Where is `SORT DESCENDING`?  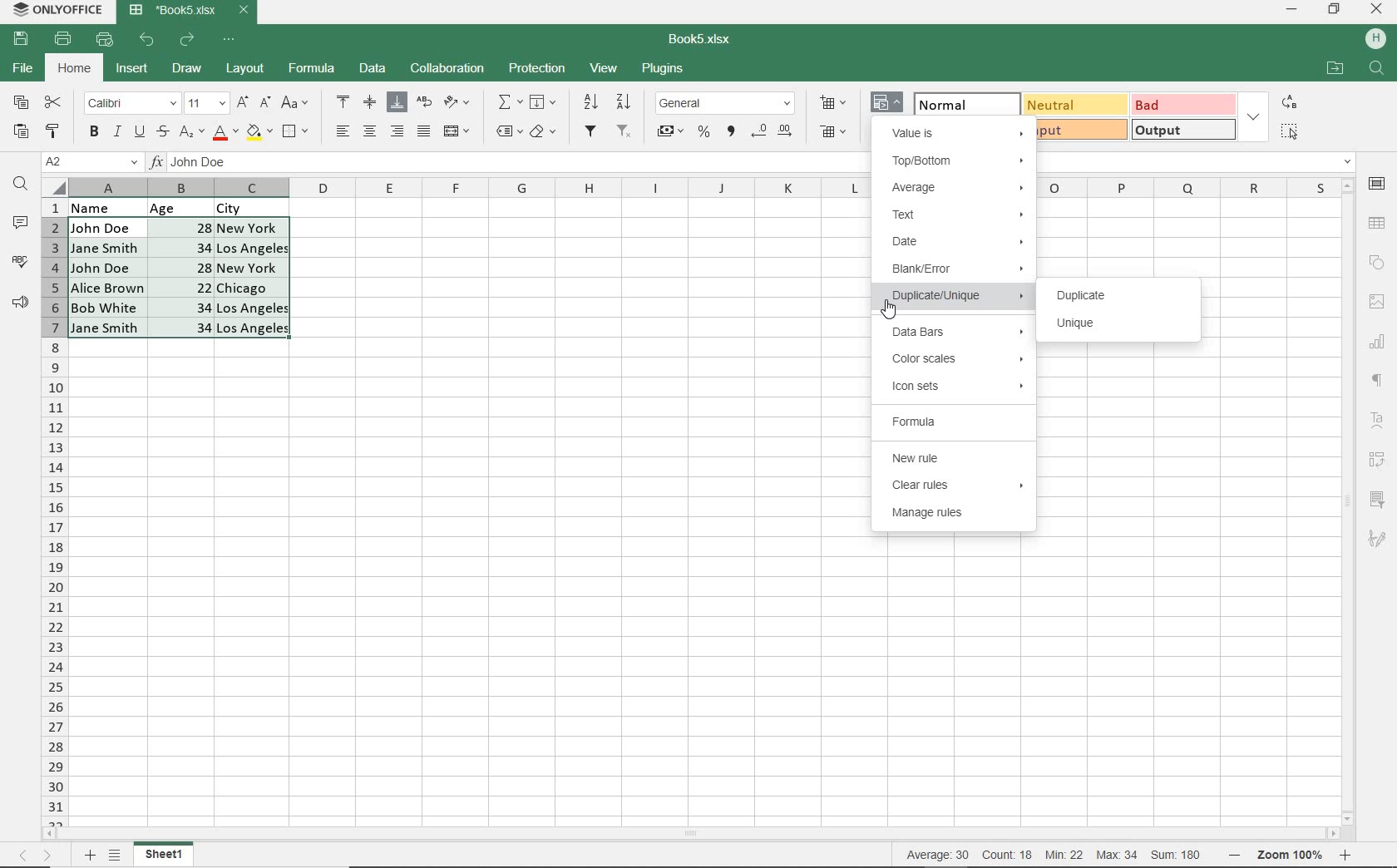
SORT DESCENDING is located at coordinates (625, 101).